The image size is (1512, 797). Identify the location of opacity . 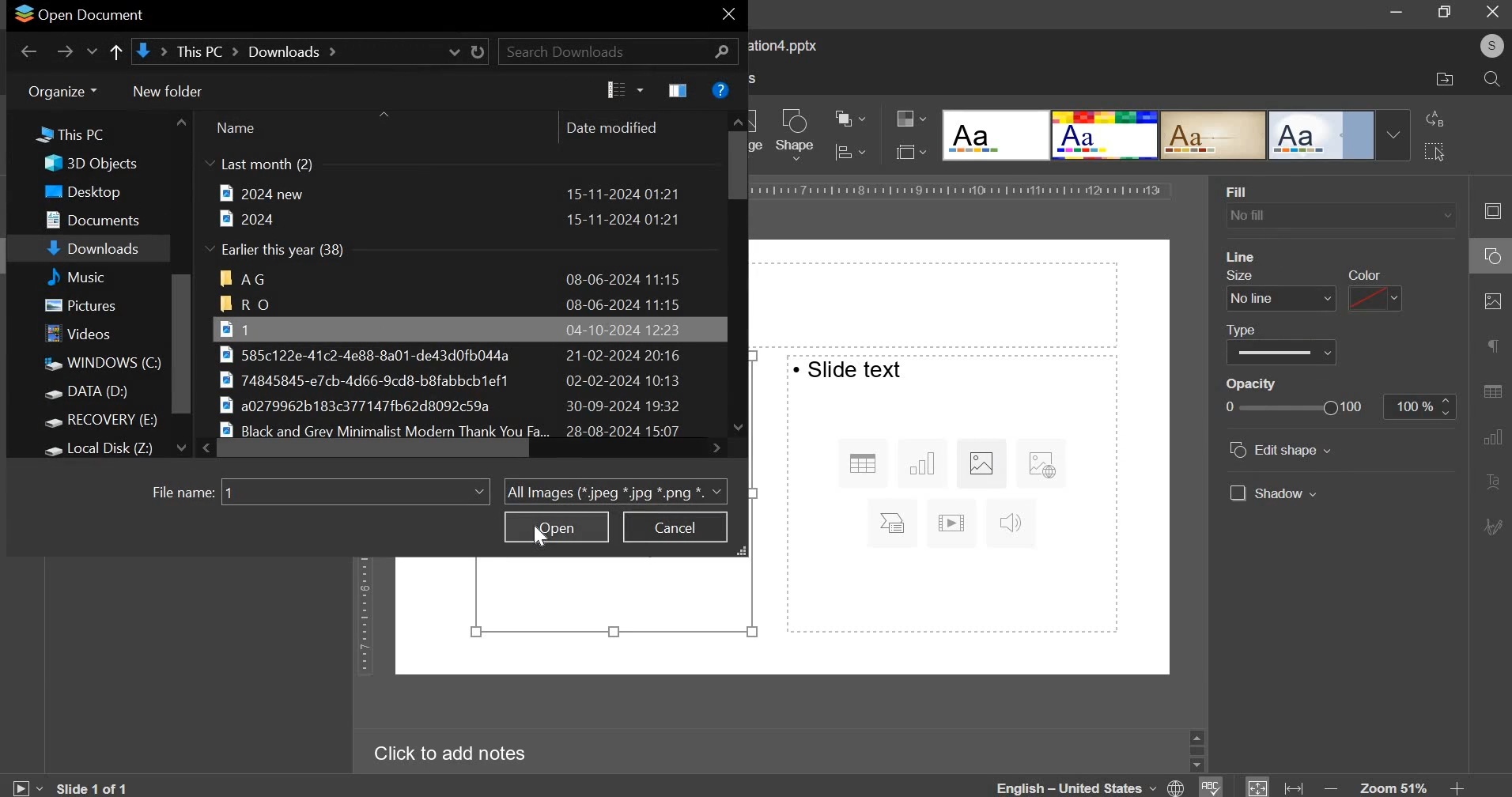
(1419, 407).